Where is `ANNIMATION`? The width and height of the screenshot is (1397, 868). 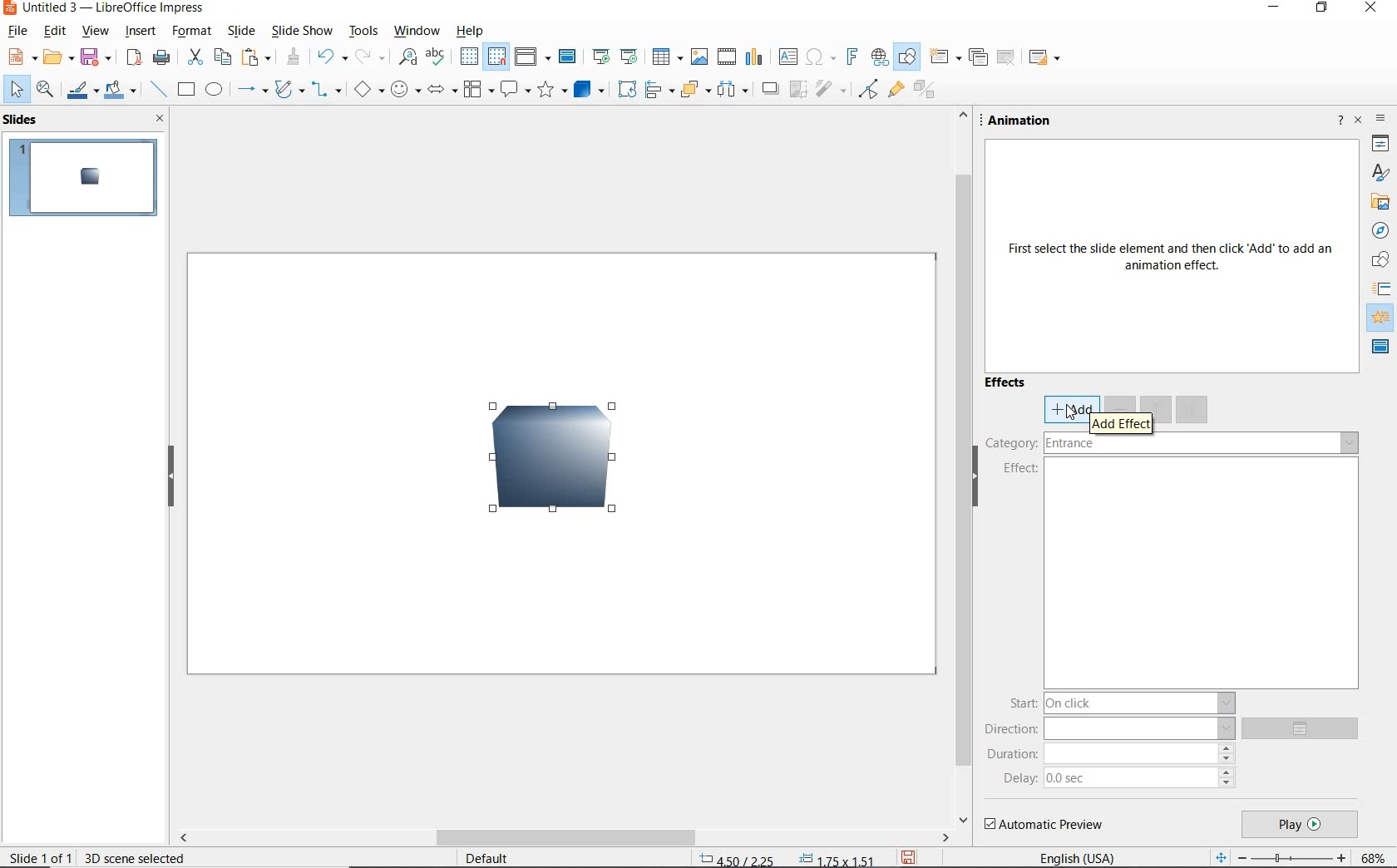
ANNIMATION is located at coordinates (1382, 317).